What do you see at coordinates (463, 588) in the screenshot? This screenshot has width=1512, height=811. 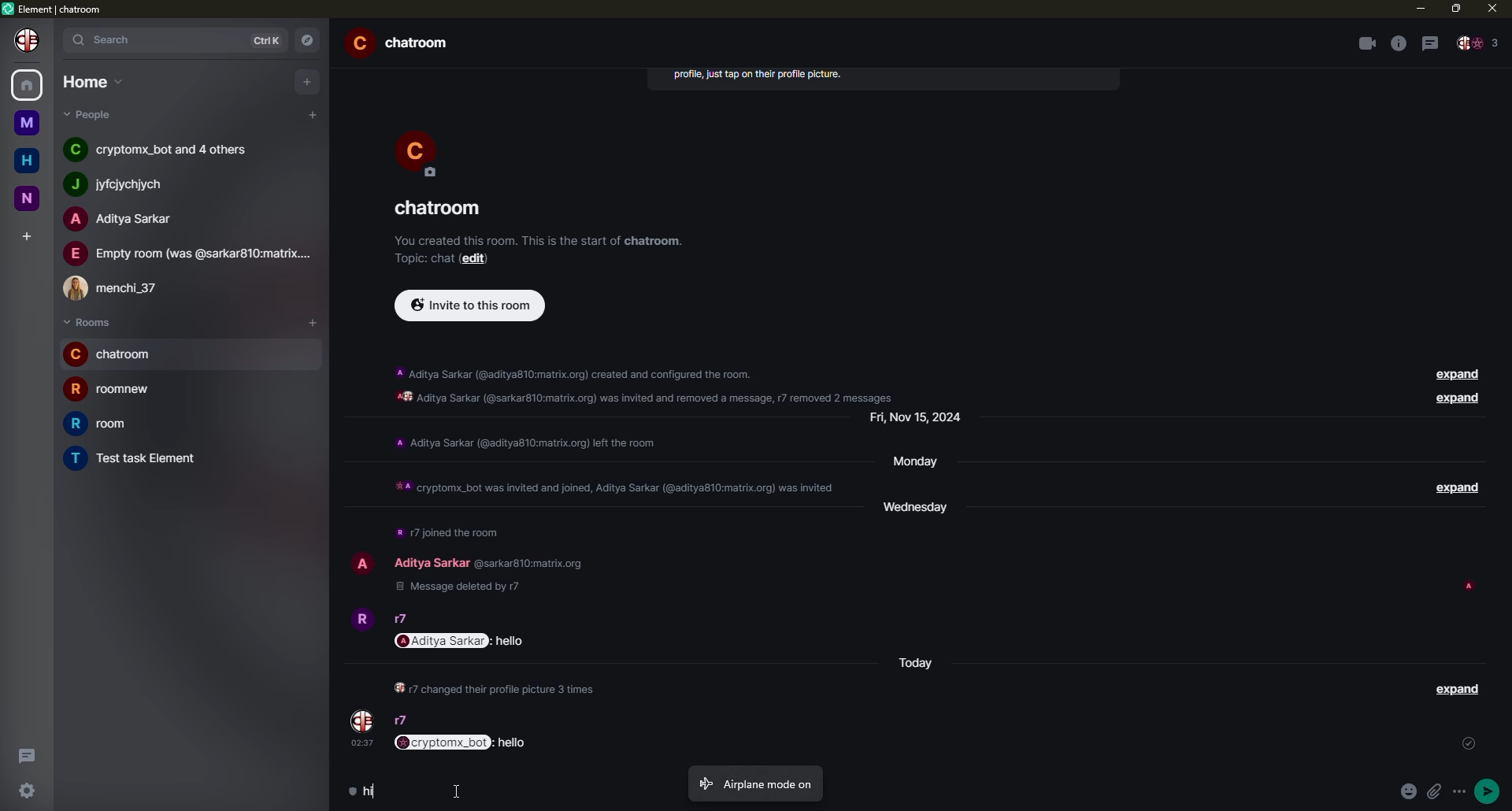 I see `deleted` at bounding box center [463, 588].